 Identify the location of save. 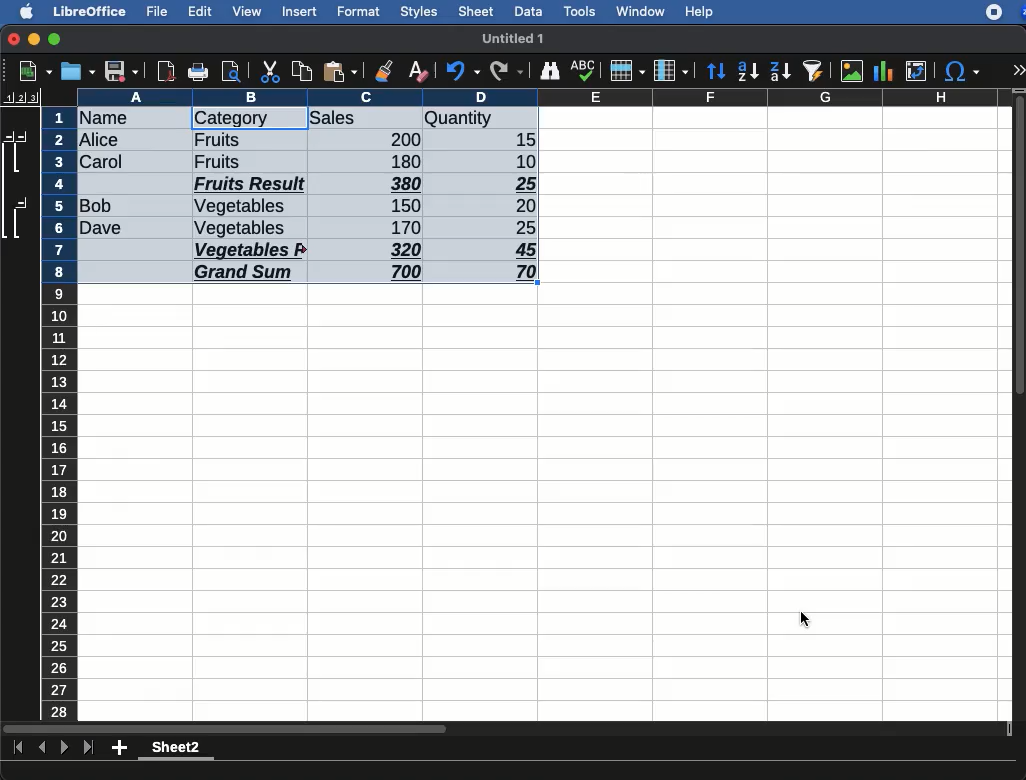
(122, 73).